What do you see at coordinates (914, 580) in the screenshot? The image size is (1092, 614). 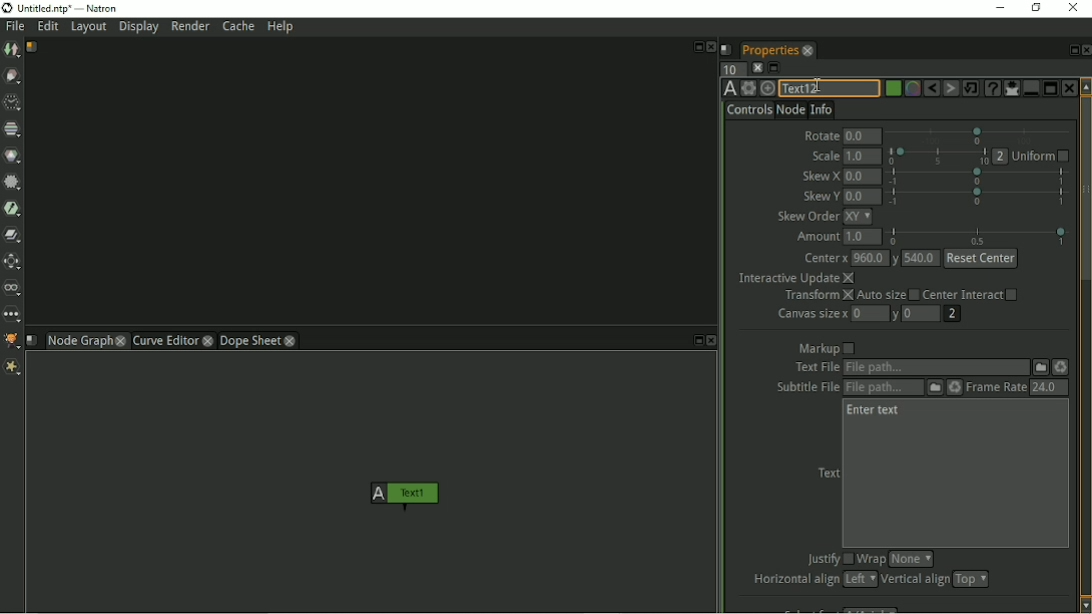 I see `Vertical align` at bounding box center [914, 580].